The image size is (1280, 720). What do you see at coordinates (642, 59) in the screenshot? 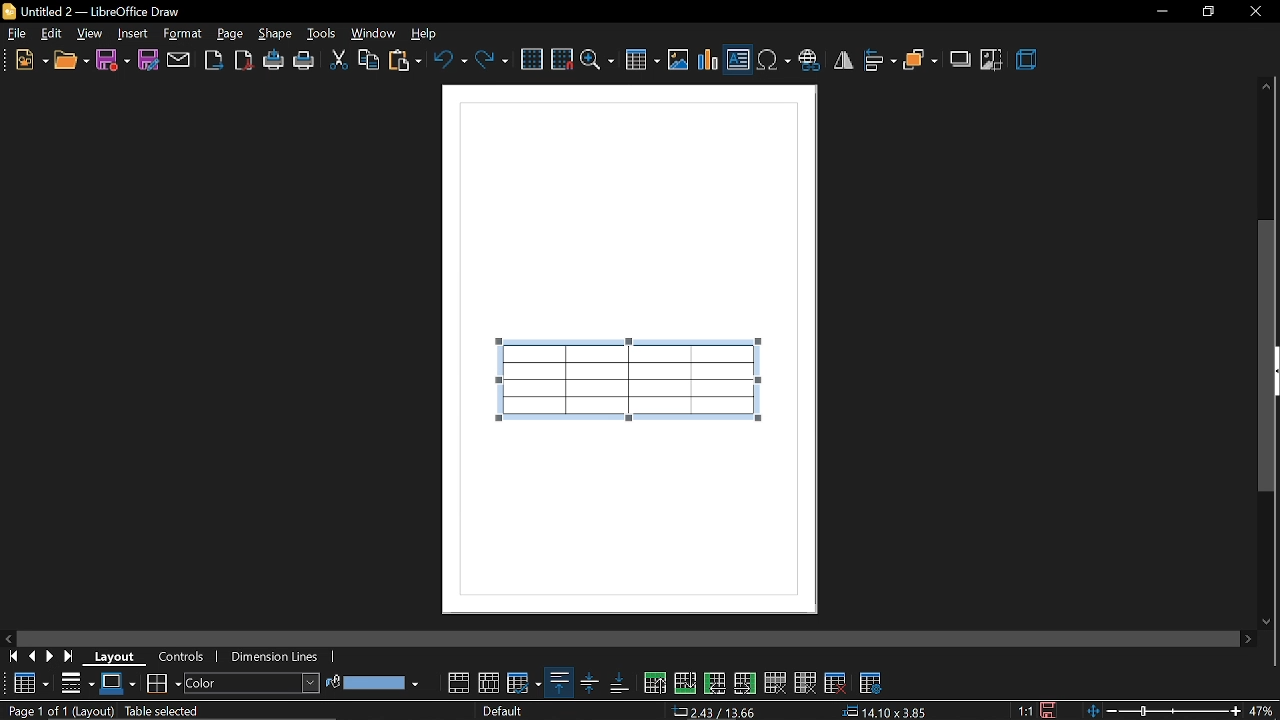
I see `insert table` at bounding box center [642, 59].